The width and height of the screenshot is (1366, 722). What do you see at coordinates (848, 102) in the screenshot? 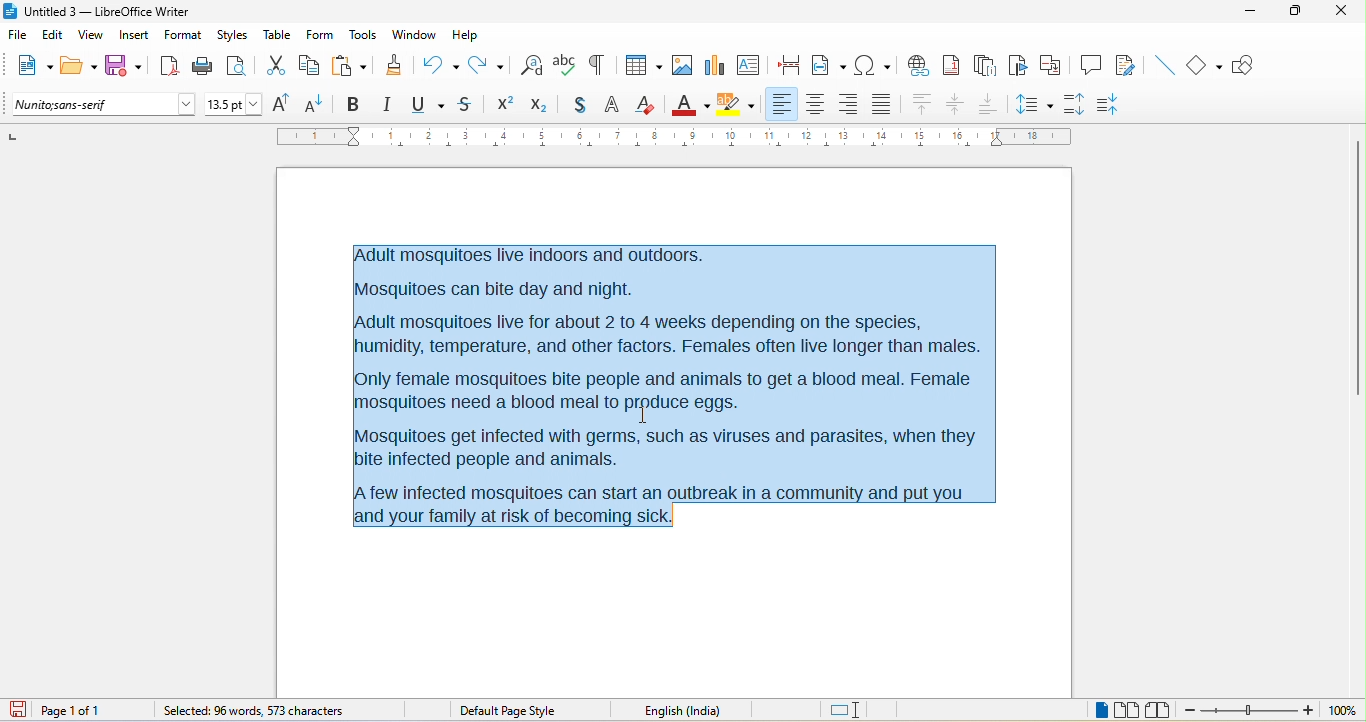
I see `align right` at bounding box center [848, 102].